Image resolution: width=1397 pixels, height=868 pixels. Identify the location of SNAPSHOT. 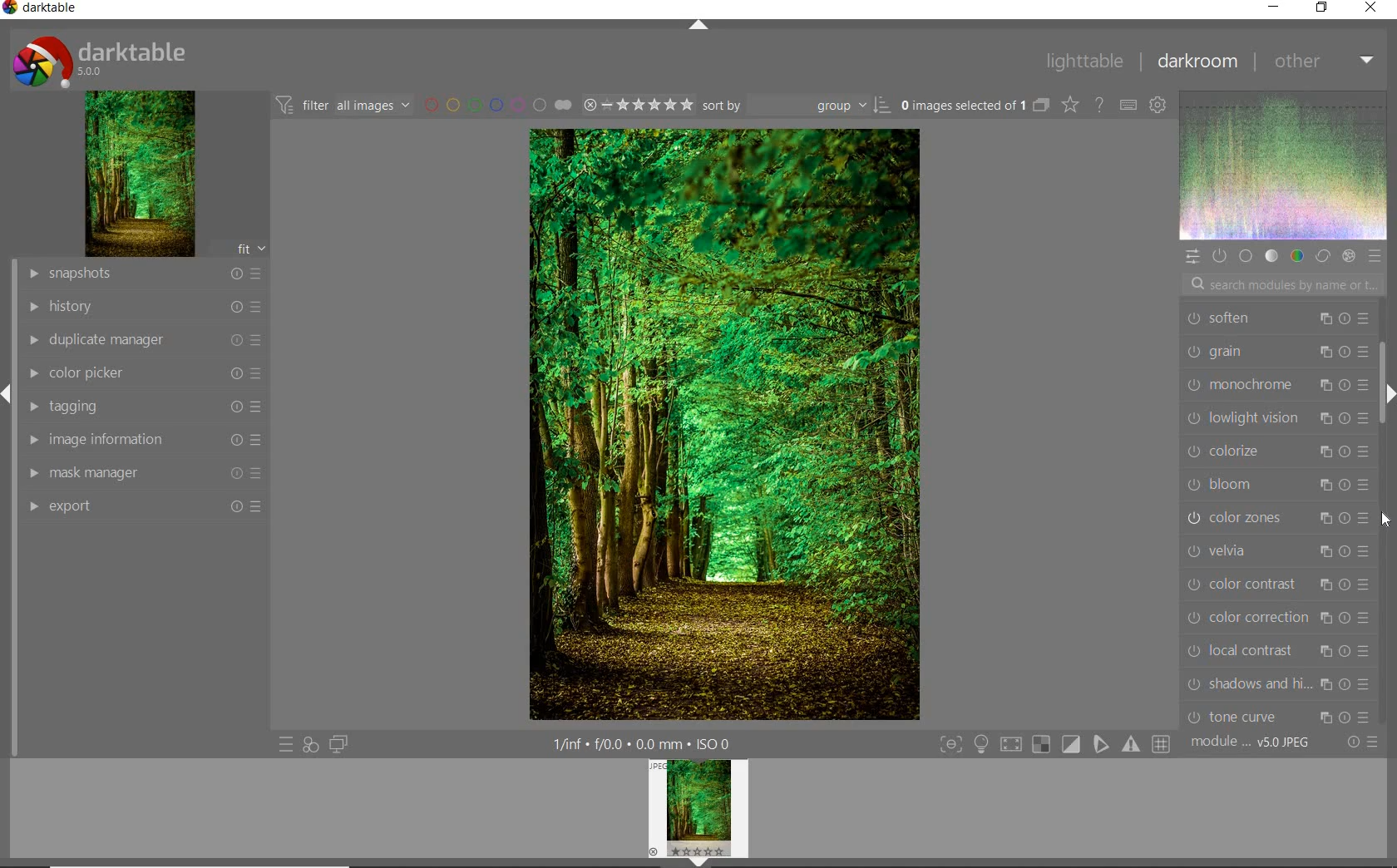
(144, 273).